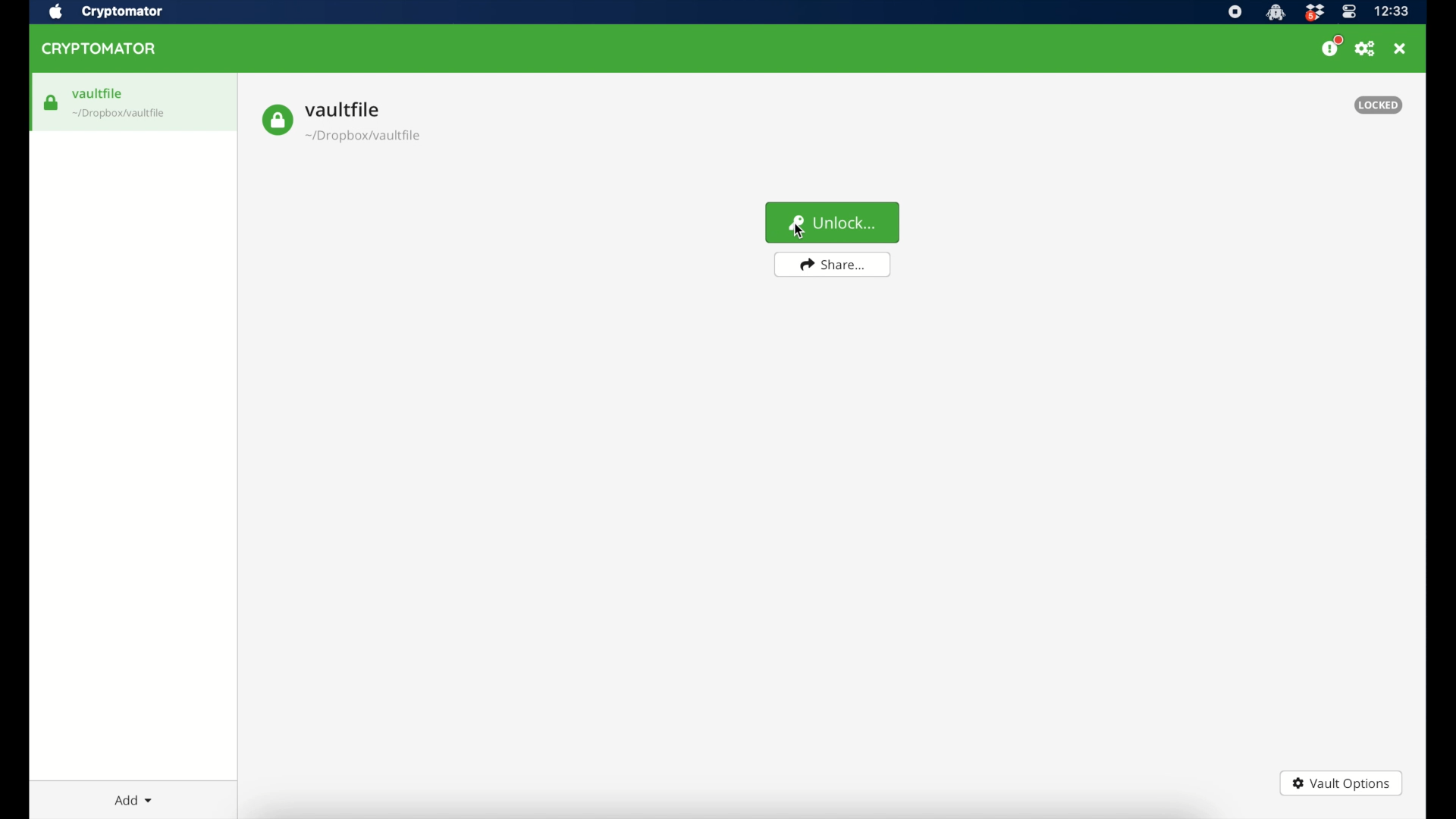  What do you see at coordinates (1275, 12) in the screenshot?
I see `cryptomator icon` at bounding box center [1275, 12].